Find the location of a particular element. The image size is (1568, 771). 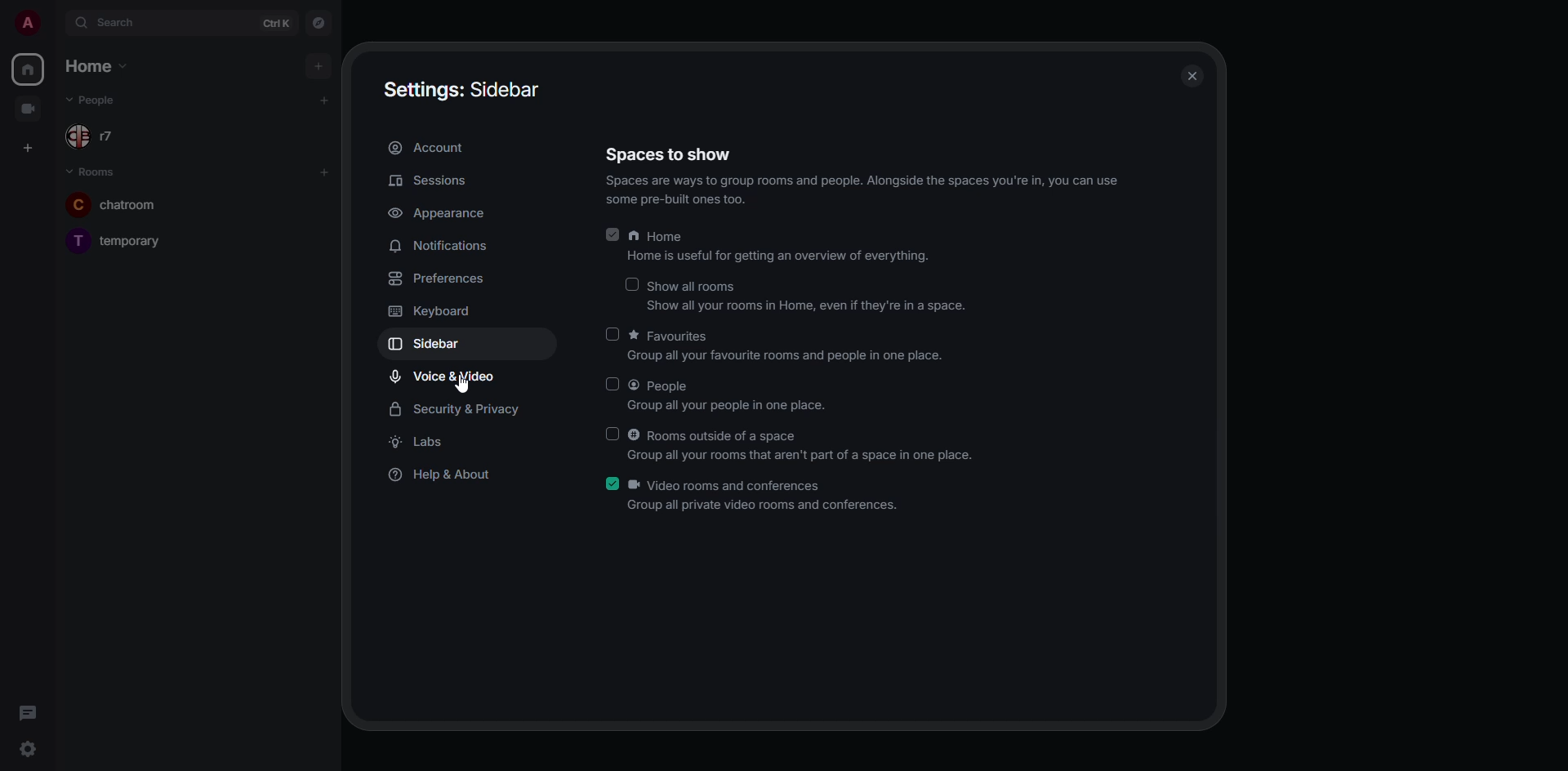

add is located at coordinates (323, 172).